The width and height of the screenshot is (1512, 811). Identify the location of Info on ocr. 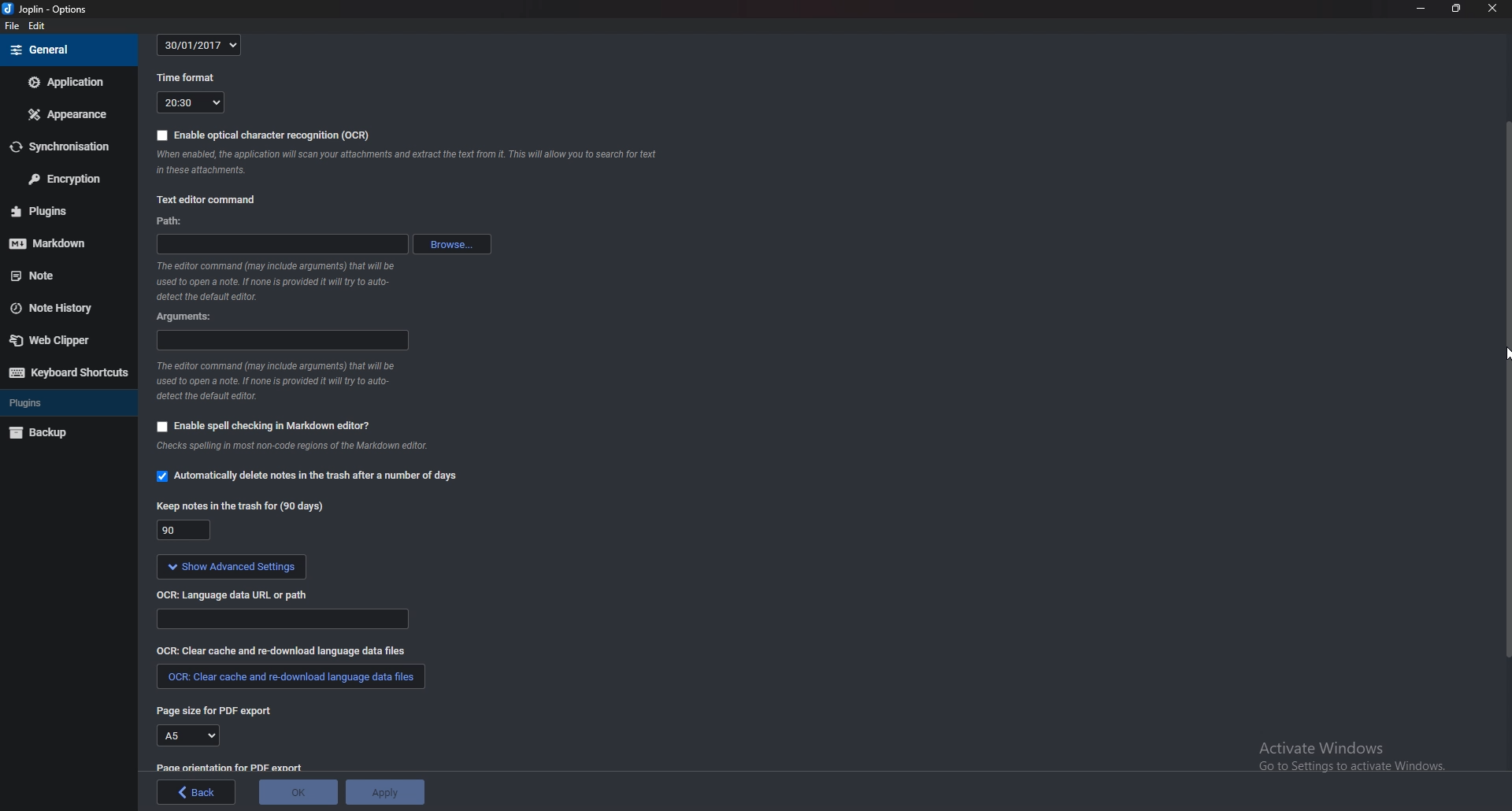
(409, 165).